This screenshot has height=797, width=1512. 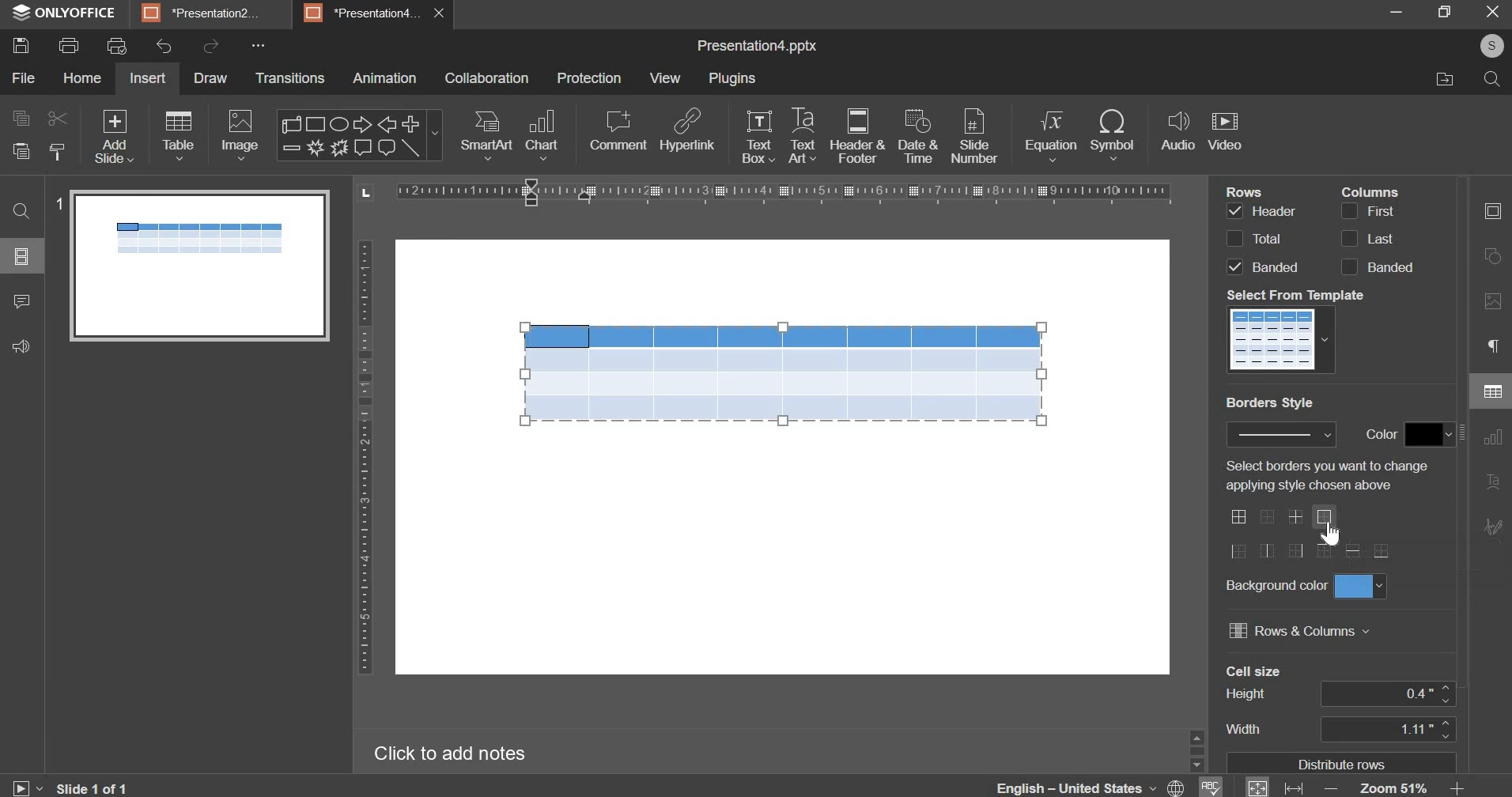 I want to click on close, so click(x=1489, y=11).